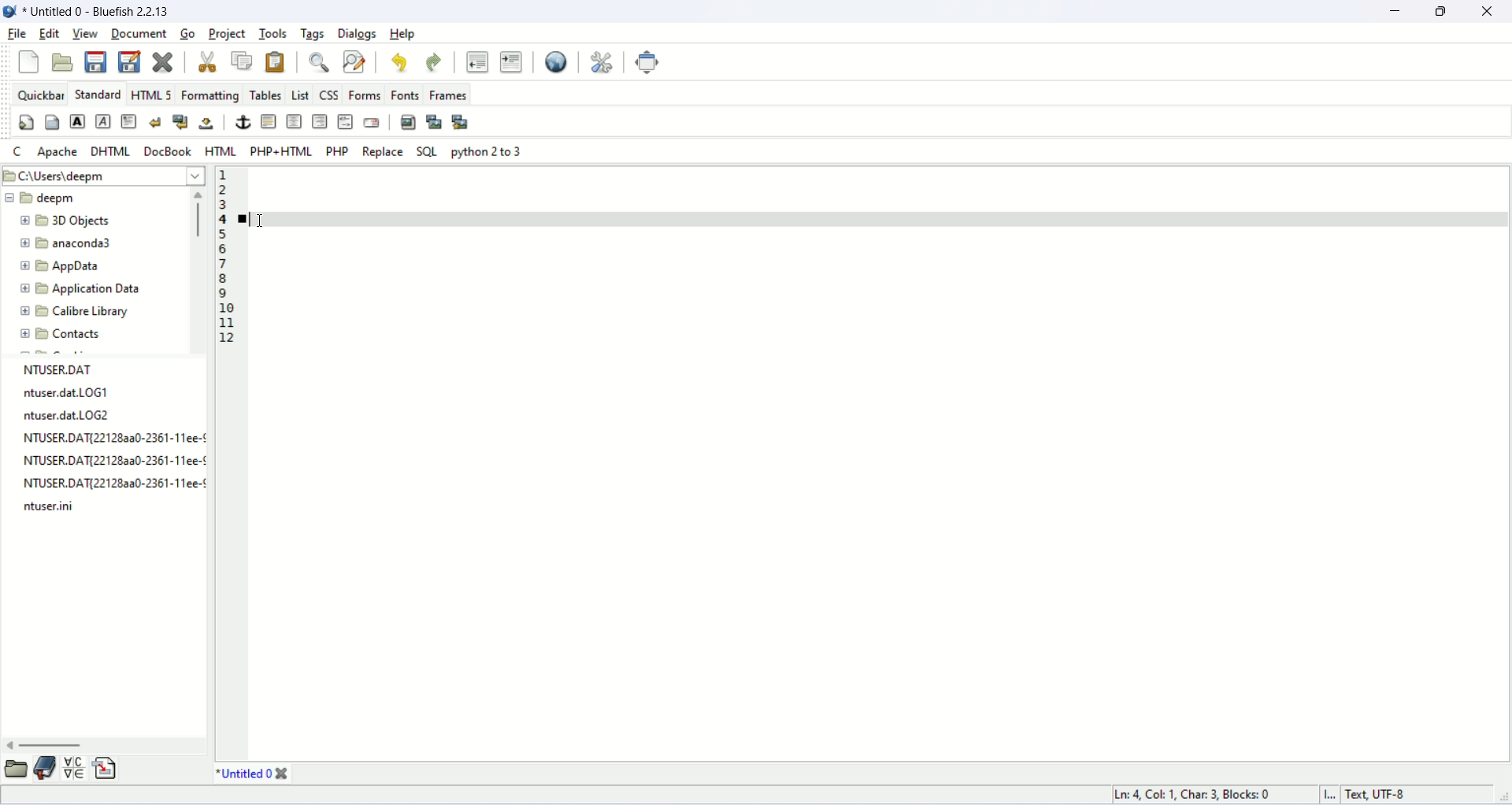  I want to click on formatting, so click(209, 95).